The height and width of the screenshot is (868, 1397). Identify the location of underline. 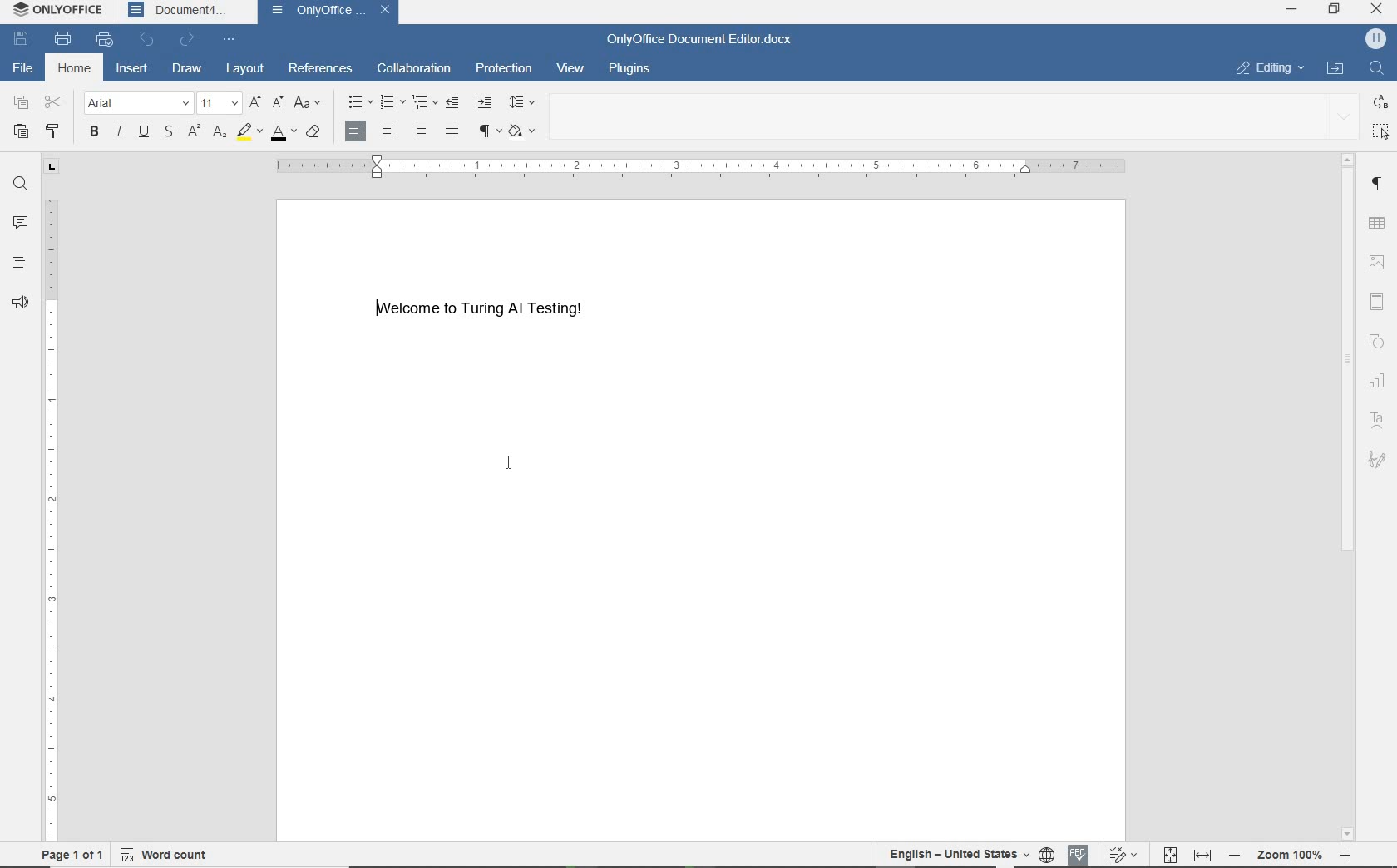
(143, 132).